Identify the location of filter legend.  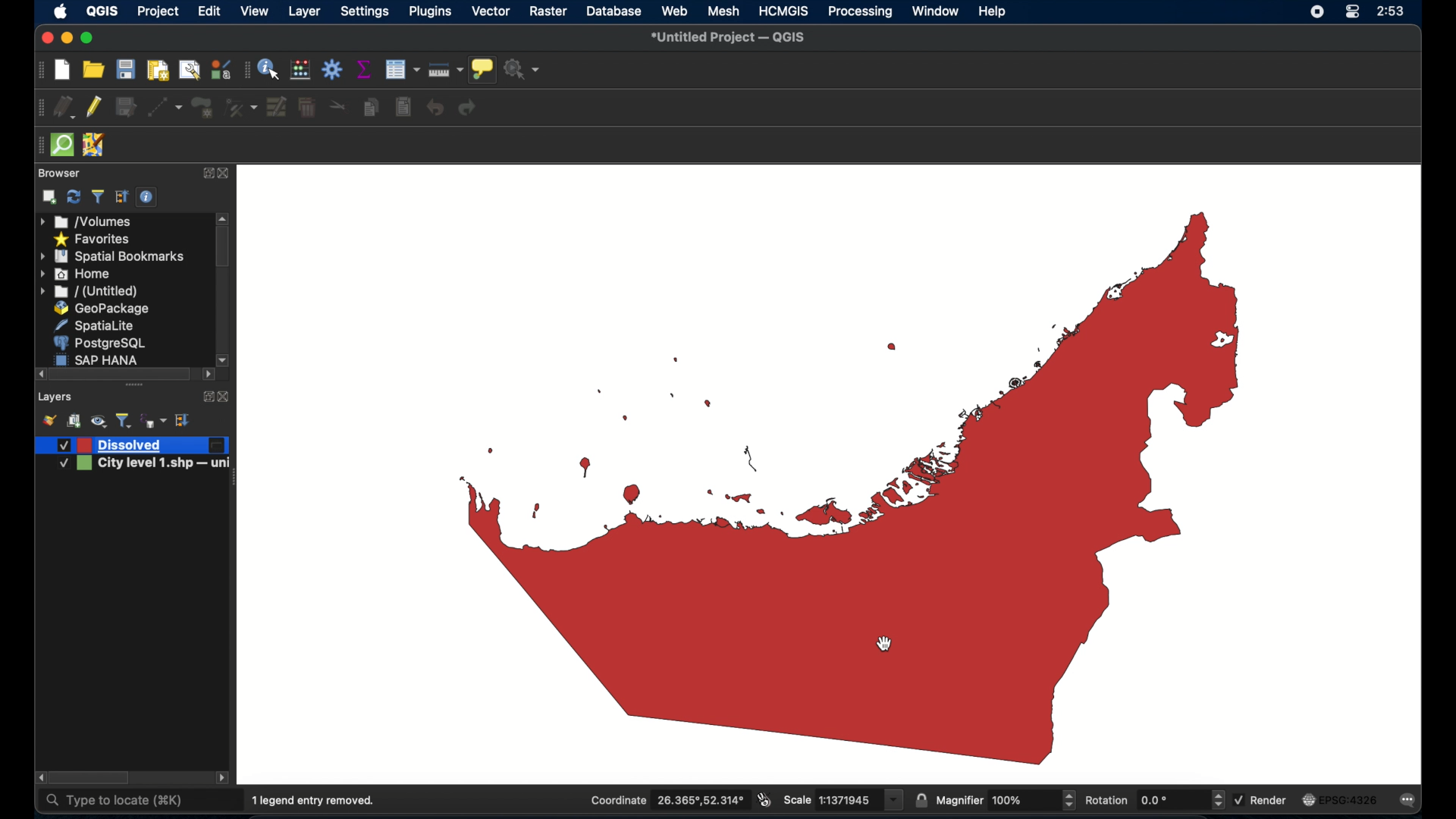
(124, 421).